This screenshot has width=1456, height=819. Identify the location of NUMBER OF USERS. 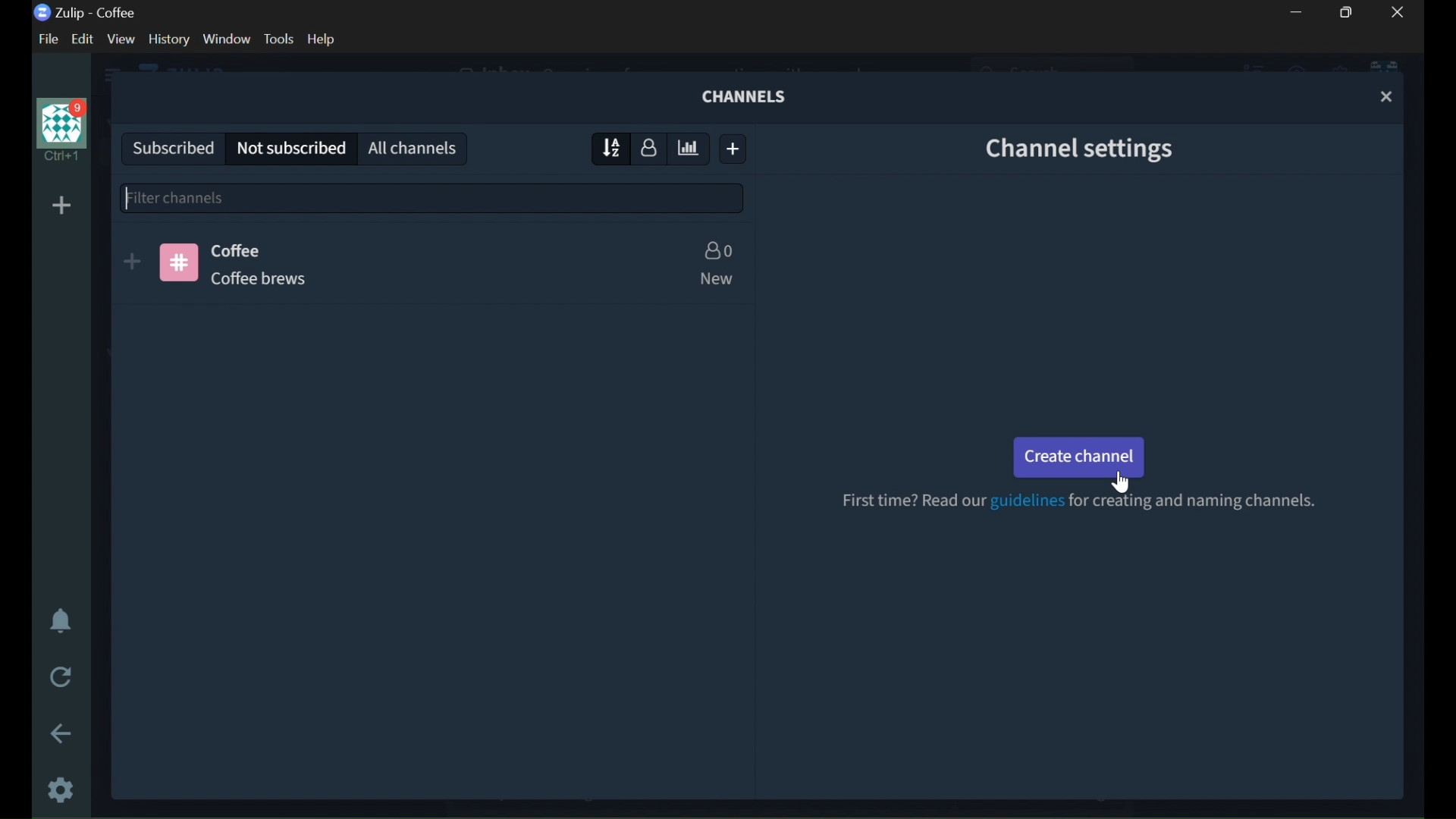
(717, 250).